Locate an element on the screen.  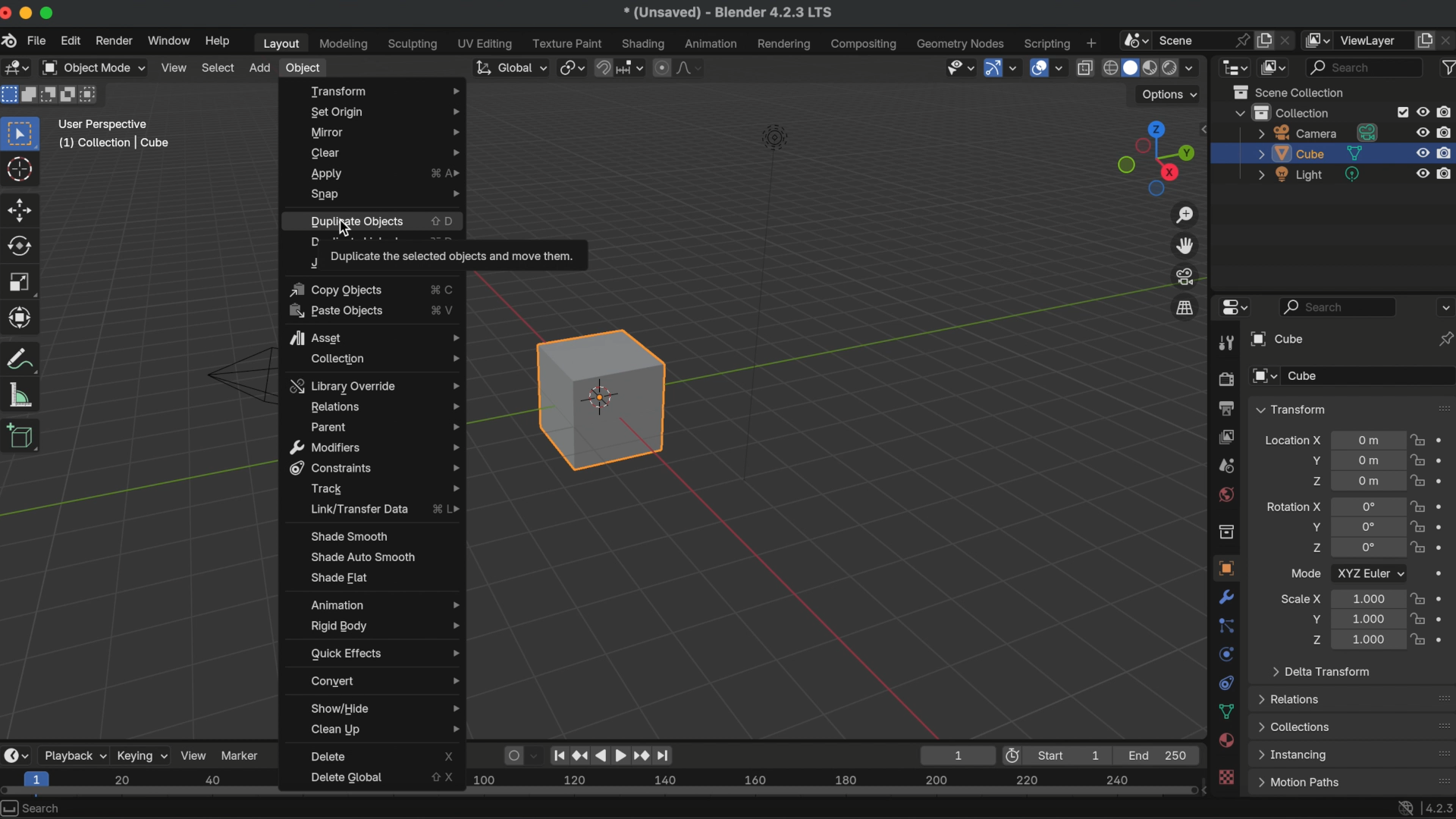
jumpo to endpoint is located at coordinates (560, 753).